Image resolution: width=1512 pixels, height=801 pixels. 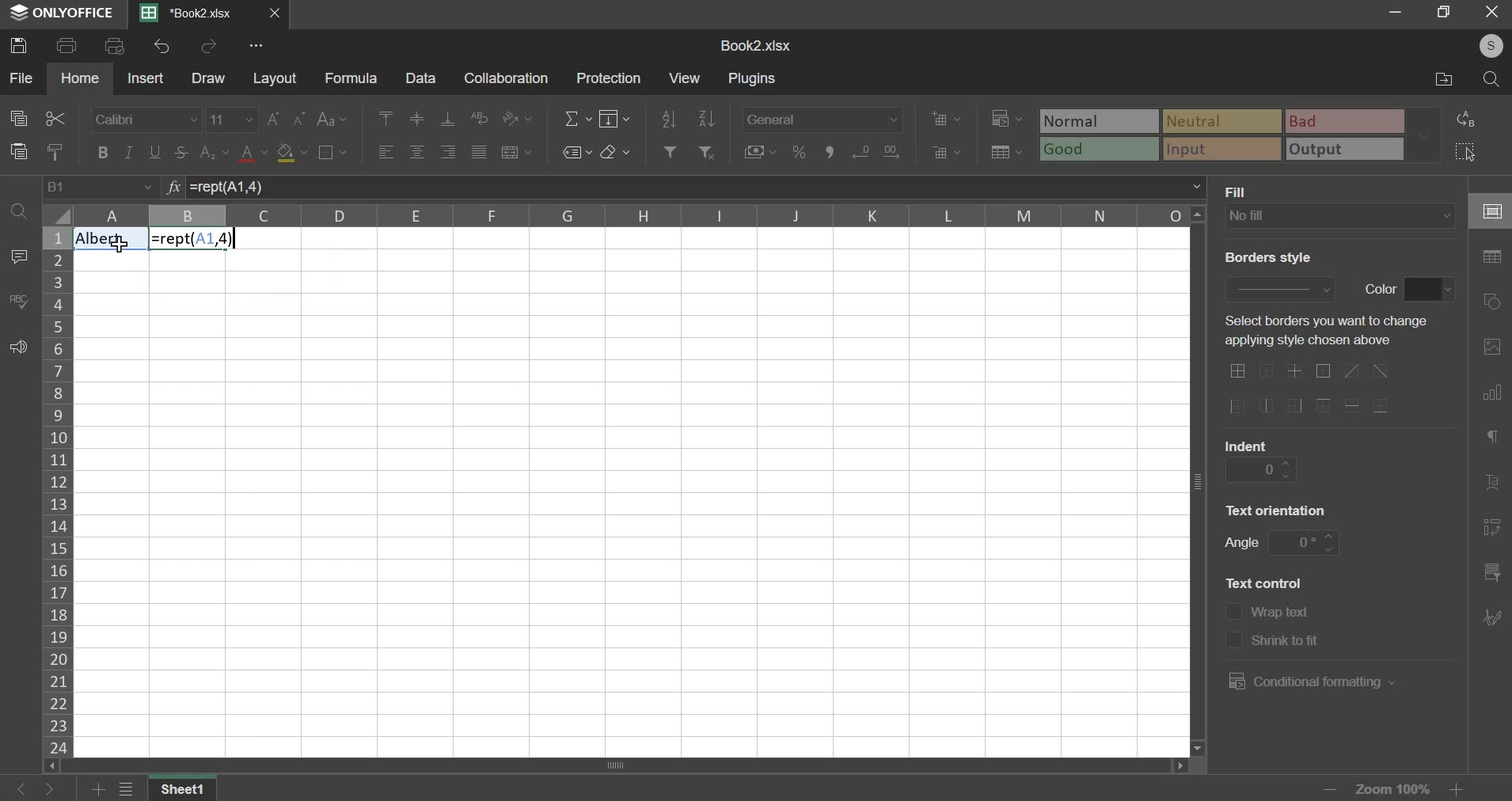 What do you see at coordinates (754, 79) in the screenshot?
I see `plugins` at bounding box center [754, 79].